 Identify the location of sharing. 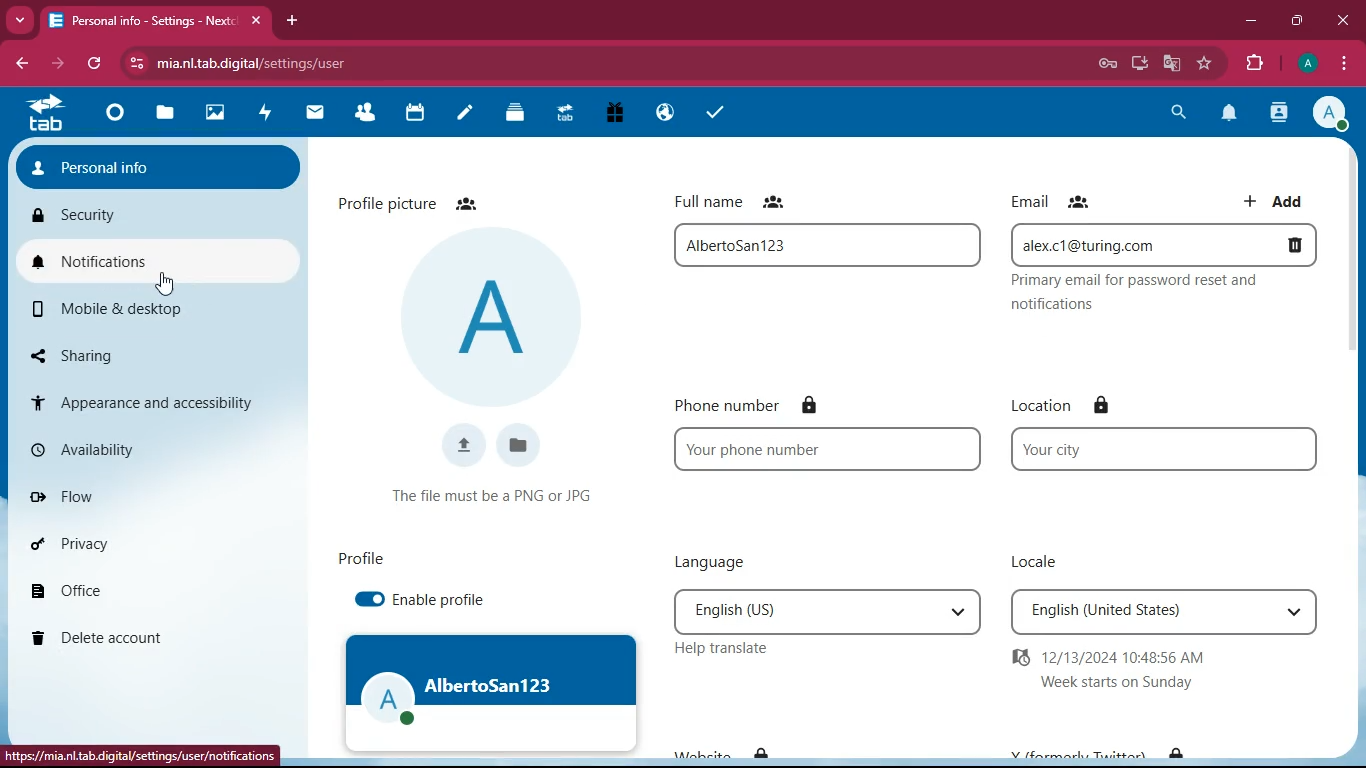
(152, 355).